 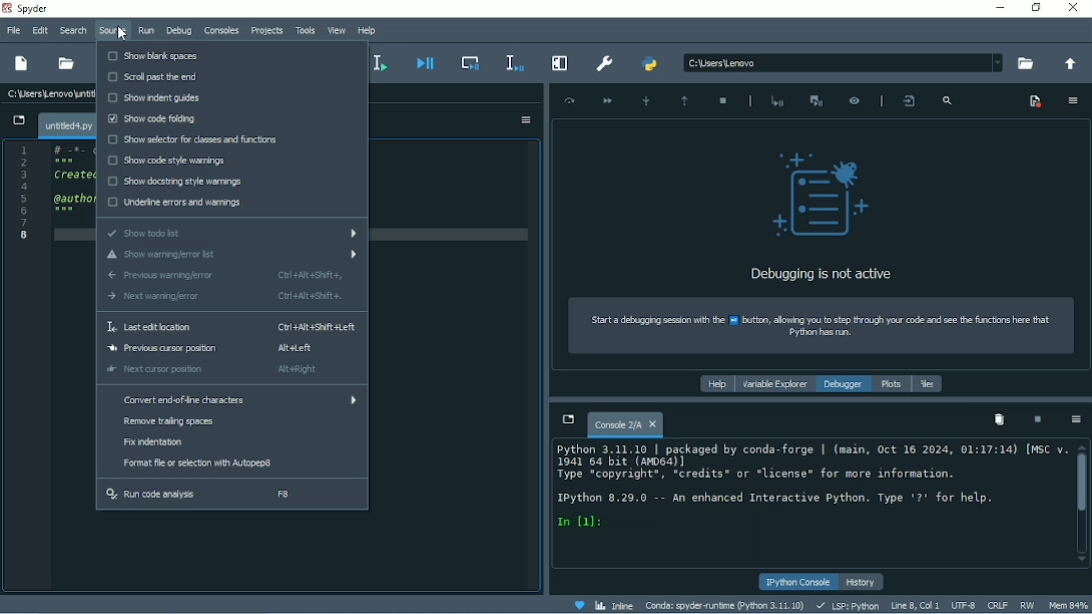 What do you see at coordinates (861, 582) in the screenshot?
I see `History` at bounding box center [861, 582].